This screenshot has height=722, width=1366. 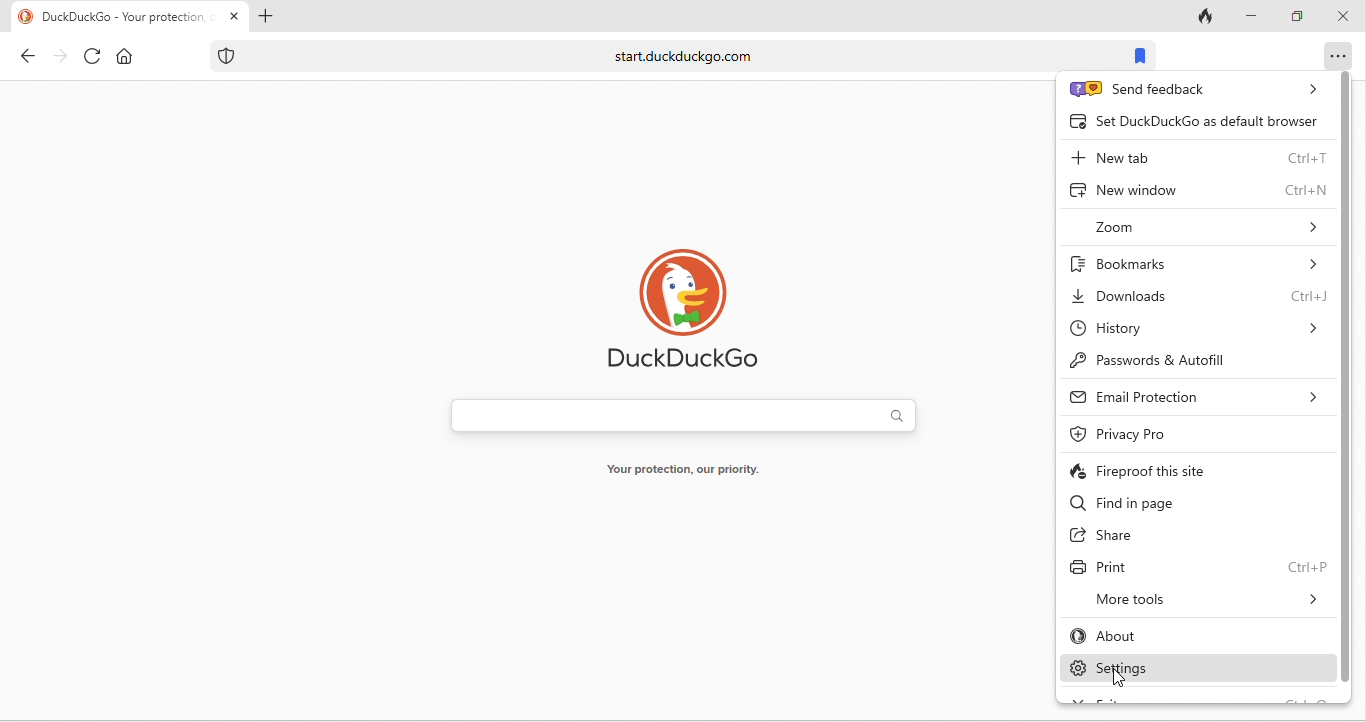 What do you see at coordinates (123, 17) in the screenshot?
I see `DuckDuckGo - Your protection our priority` at bounding box center [123, 17].